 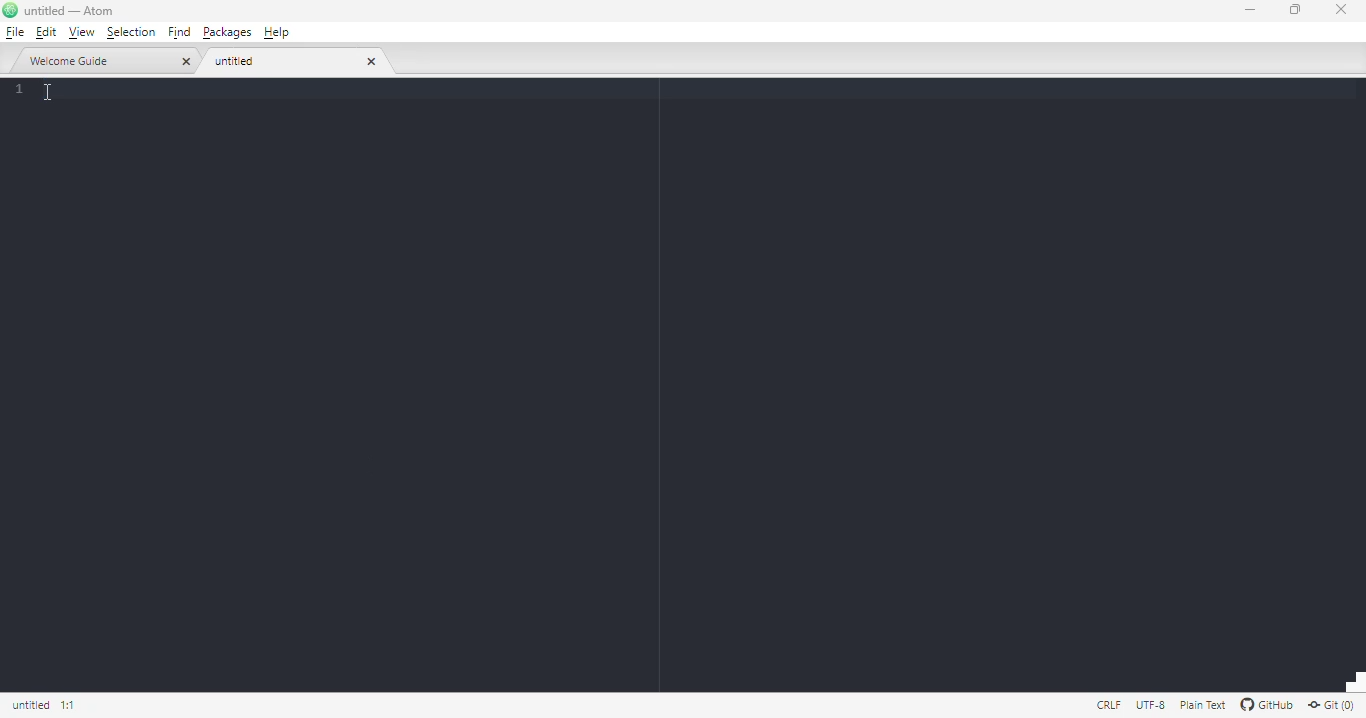 What do you see at coordinates (18, 89) in the screenshot?
I see `line numbers` at bounding box center [18, 89].